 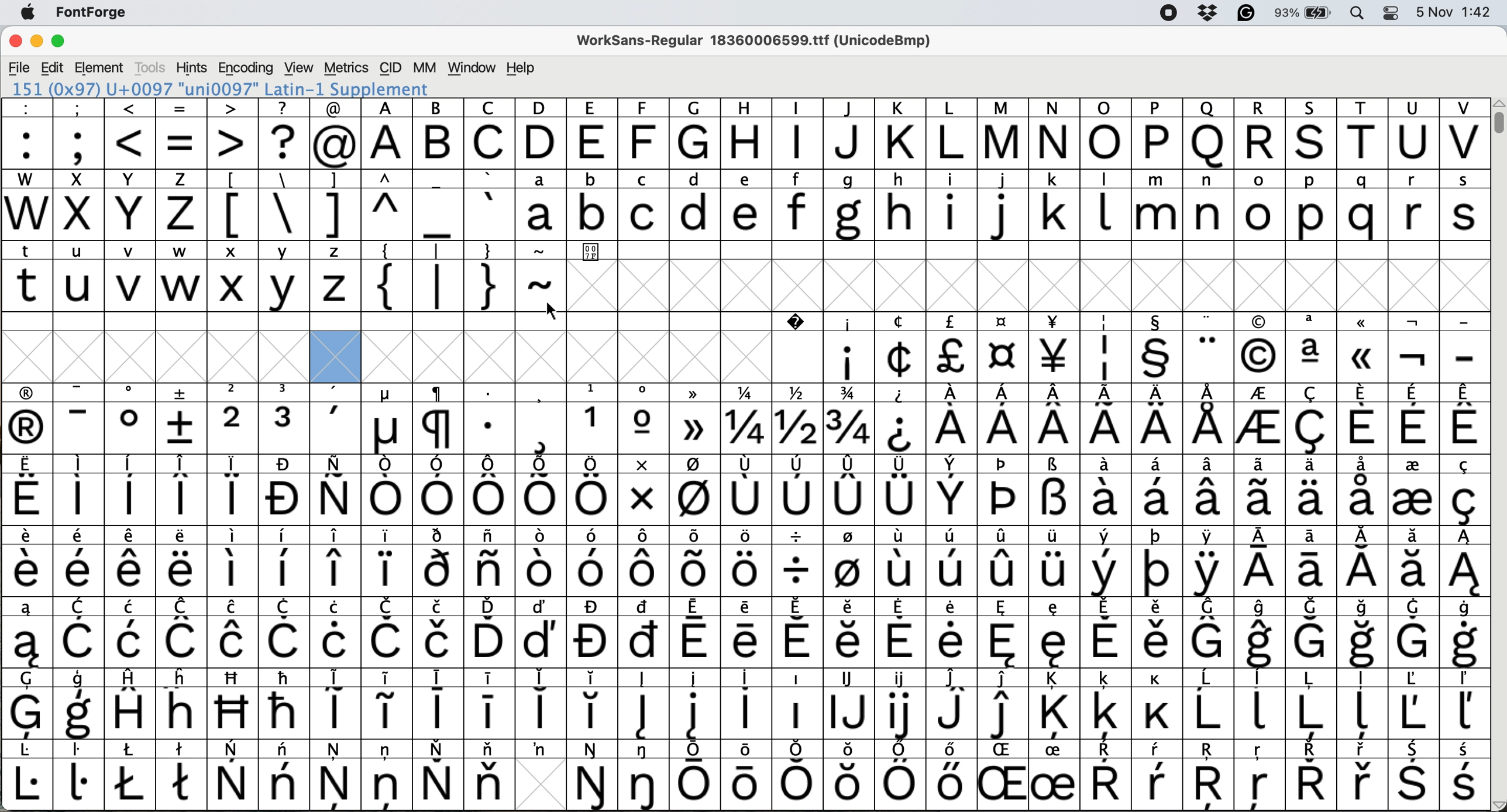 I want to click on u, so click(x=80, y=276).